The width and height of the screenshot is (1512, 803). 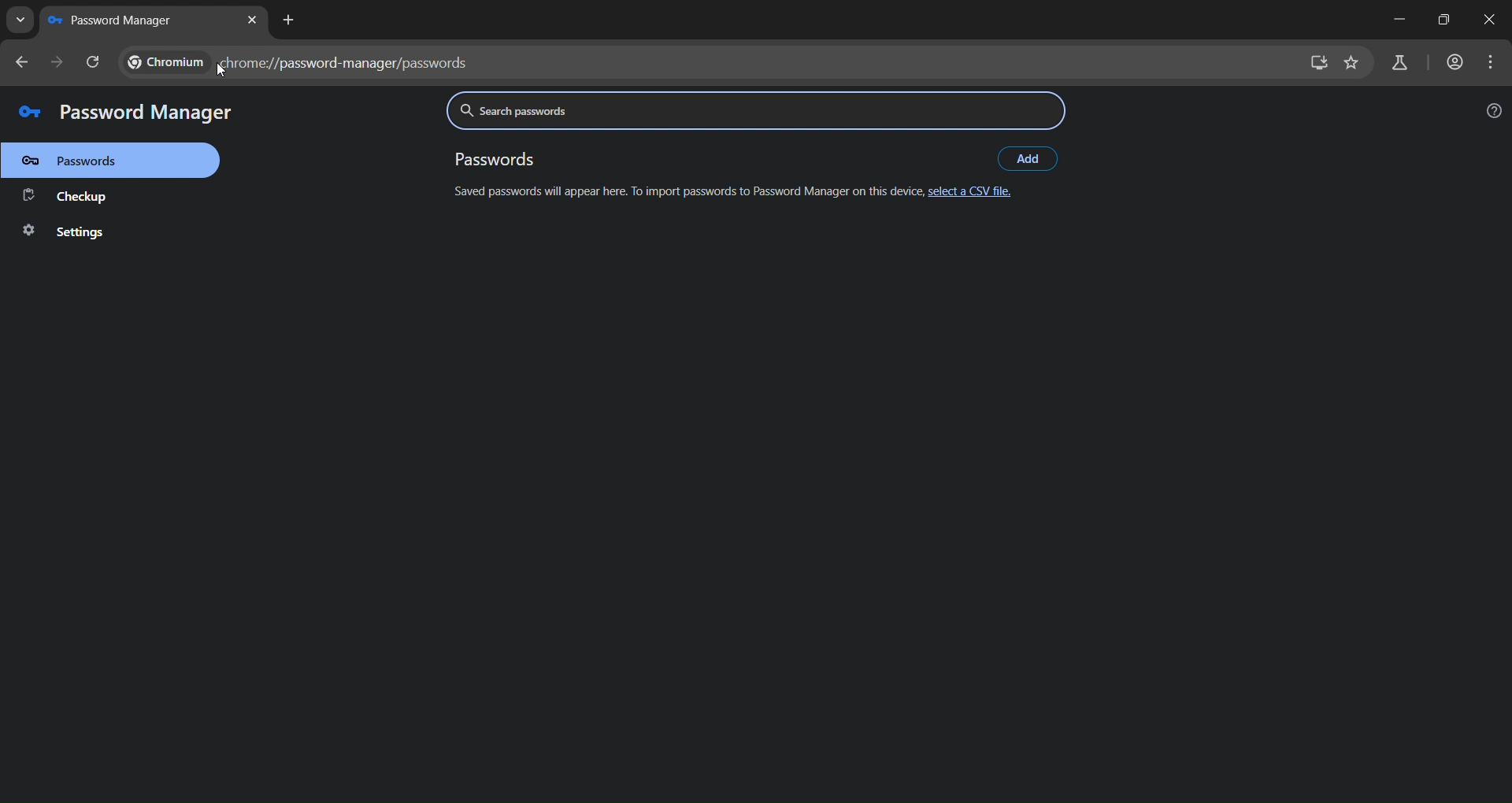 I want to click on passwords, so click(x=87, y=160).